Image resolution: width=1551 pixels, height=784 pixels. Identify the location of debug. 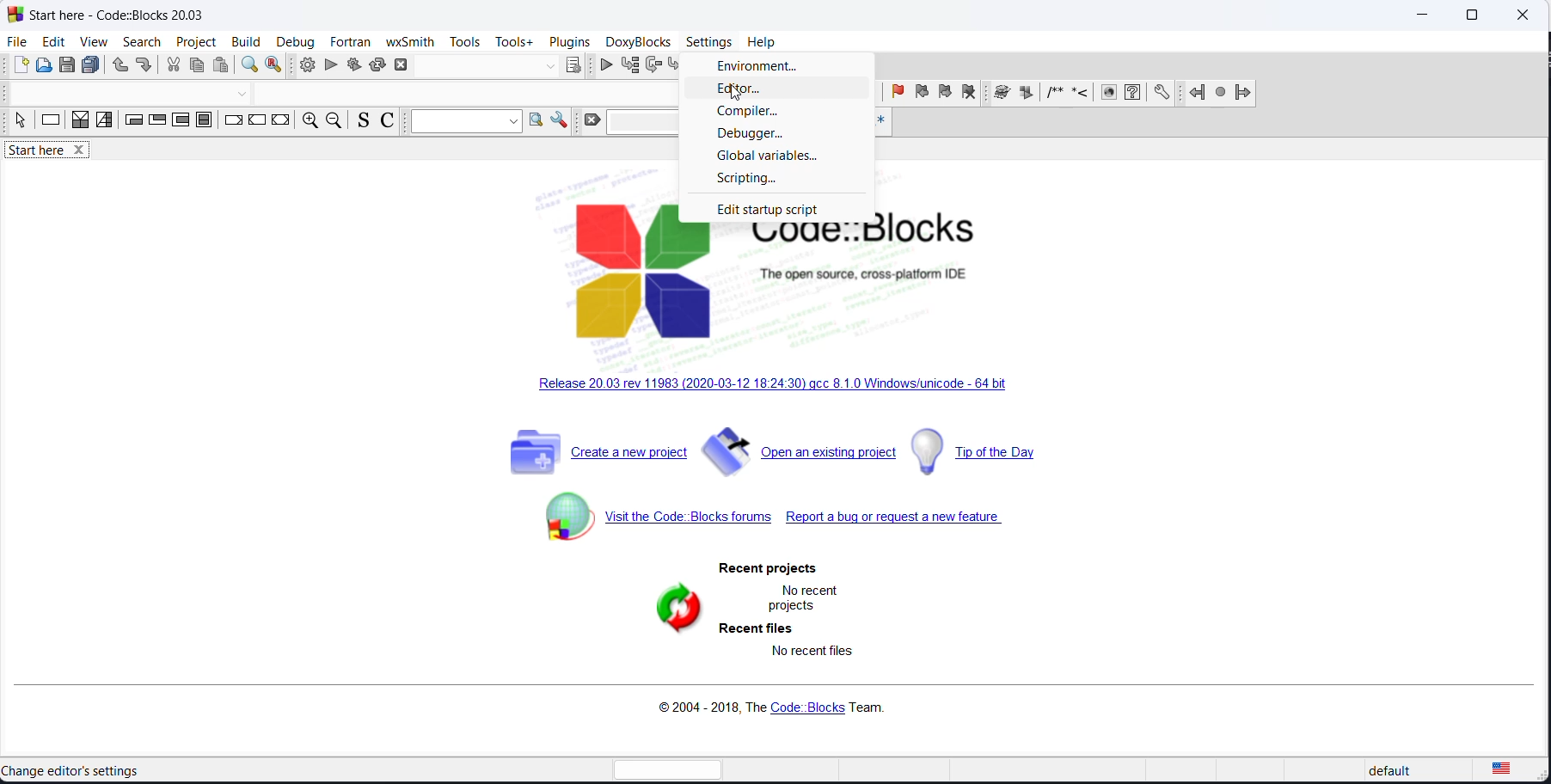
(294, 39).